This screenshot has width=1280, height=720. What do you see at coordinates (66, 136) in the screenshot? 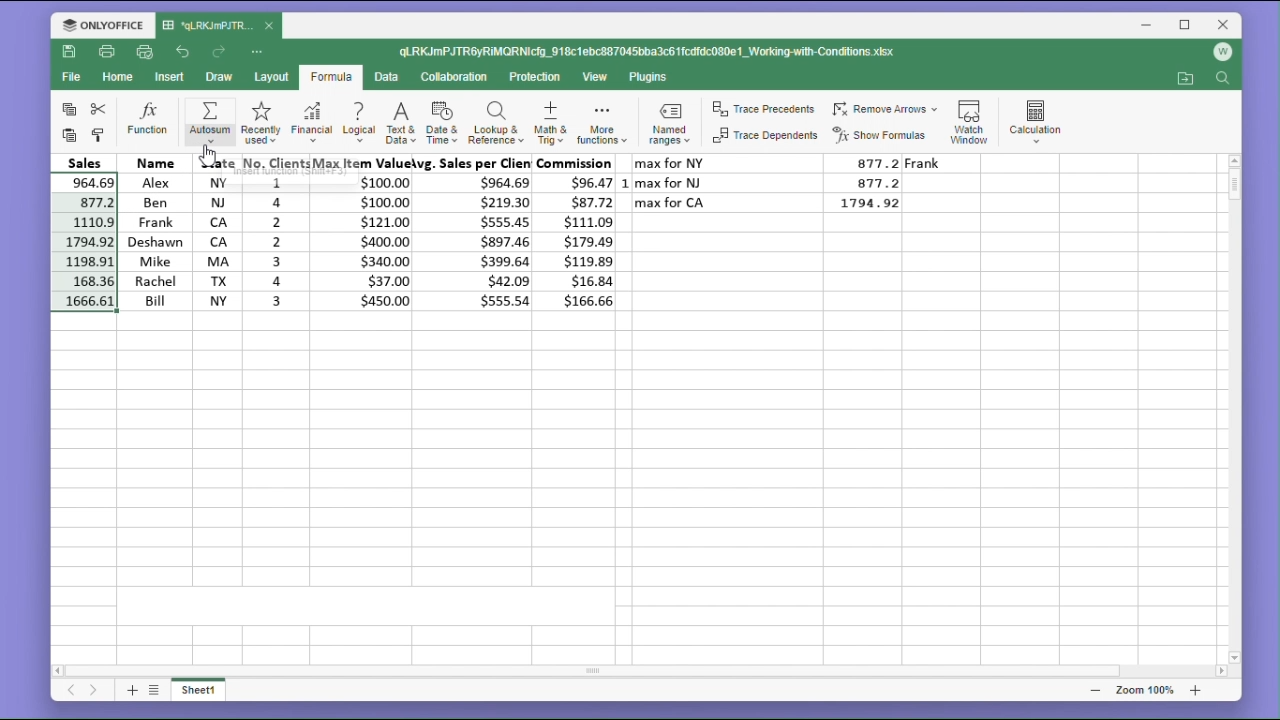
I see `paste` at bounding box center [66, 136].